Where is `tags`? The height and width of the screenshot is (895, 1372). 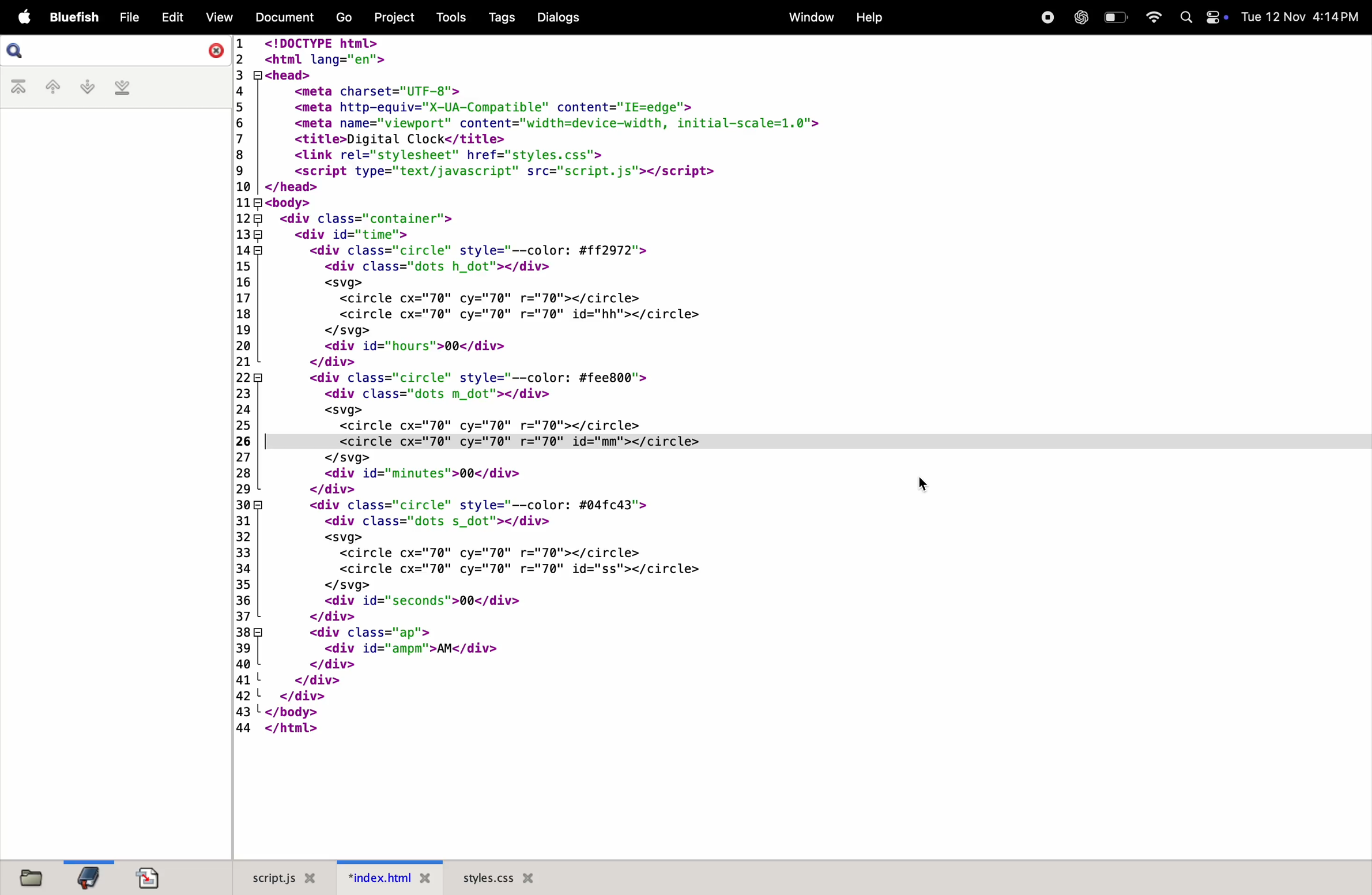
tags is located at coordinates (499, 18).